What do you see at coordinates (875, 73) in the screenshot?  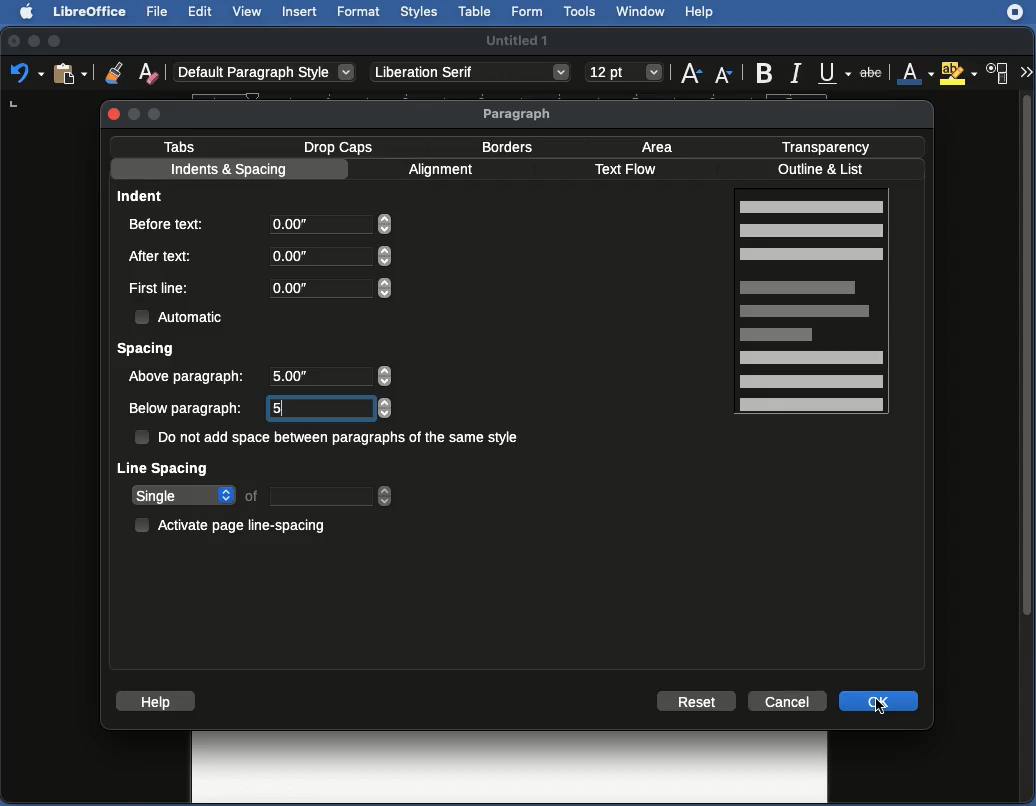 I see `Strikethrough` at bounding box center [875, 73].